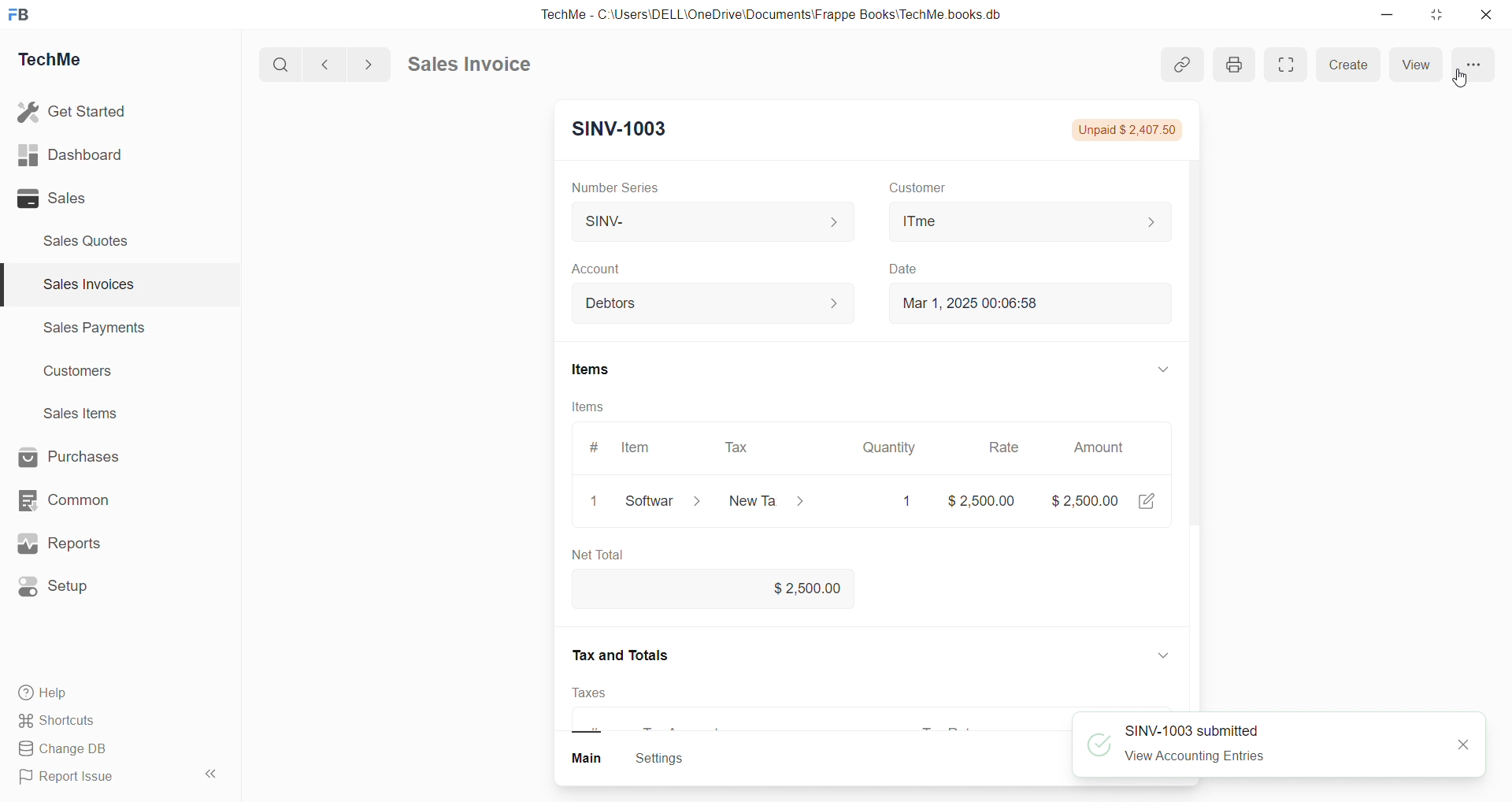  What do you see at coordinates (1290, 69) in the screenshot?
I see `full width` at bounding box center [1290, 69].